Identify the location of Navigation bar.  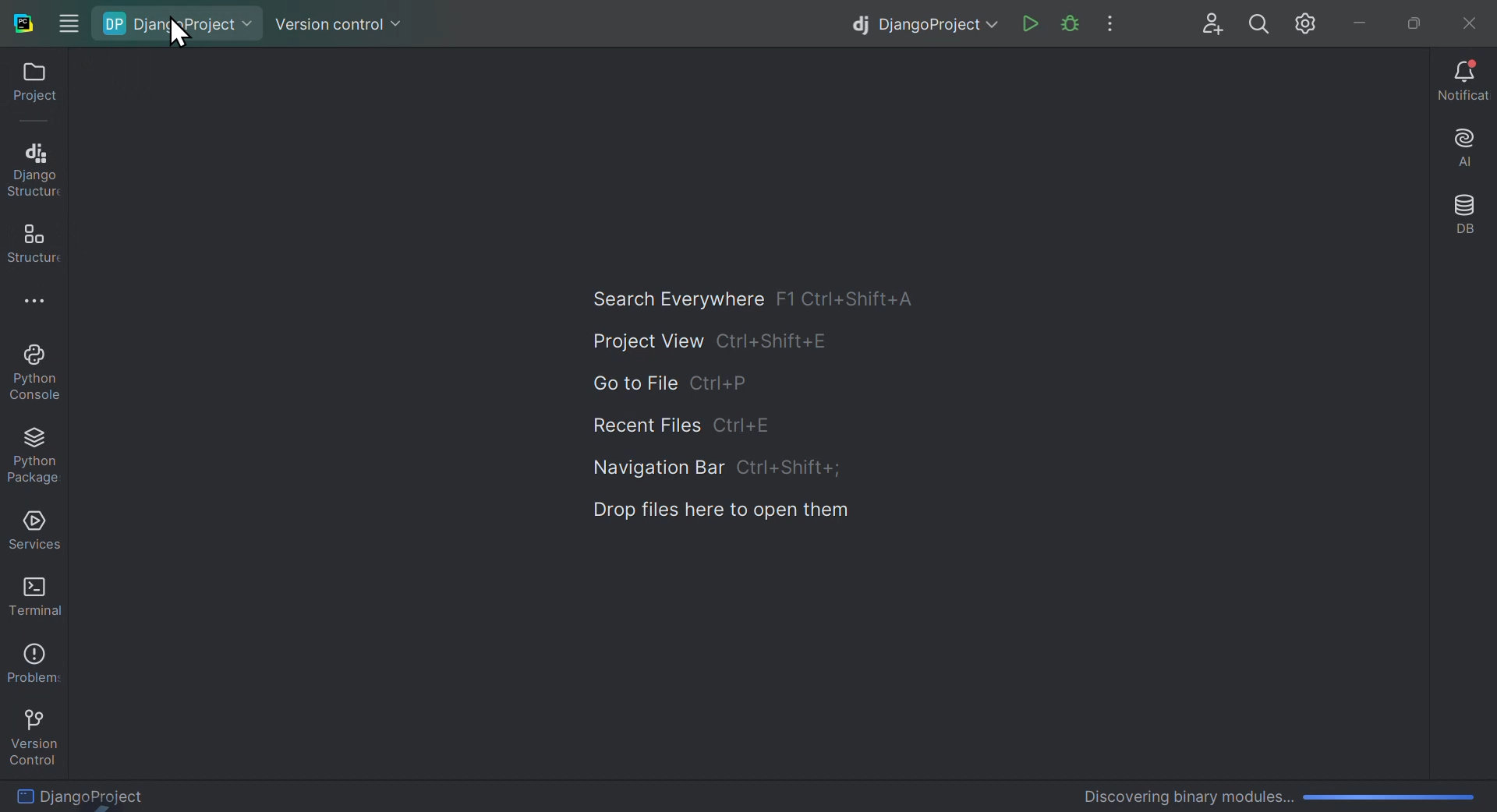
(652, 470).